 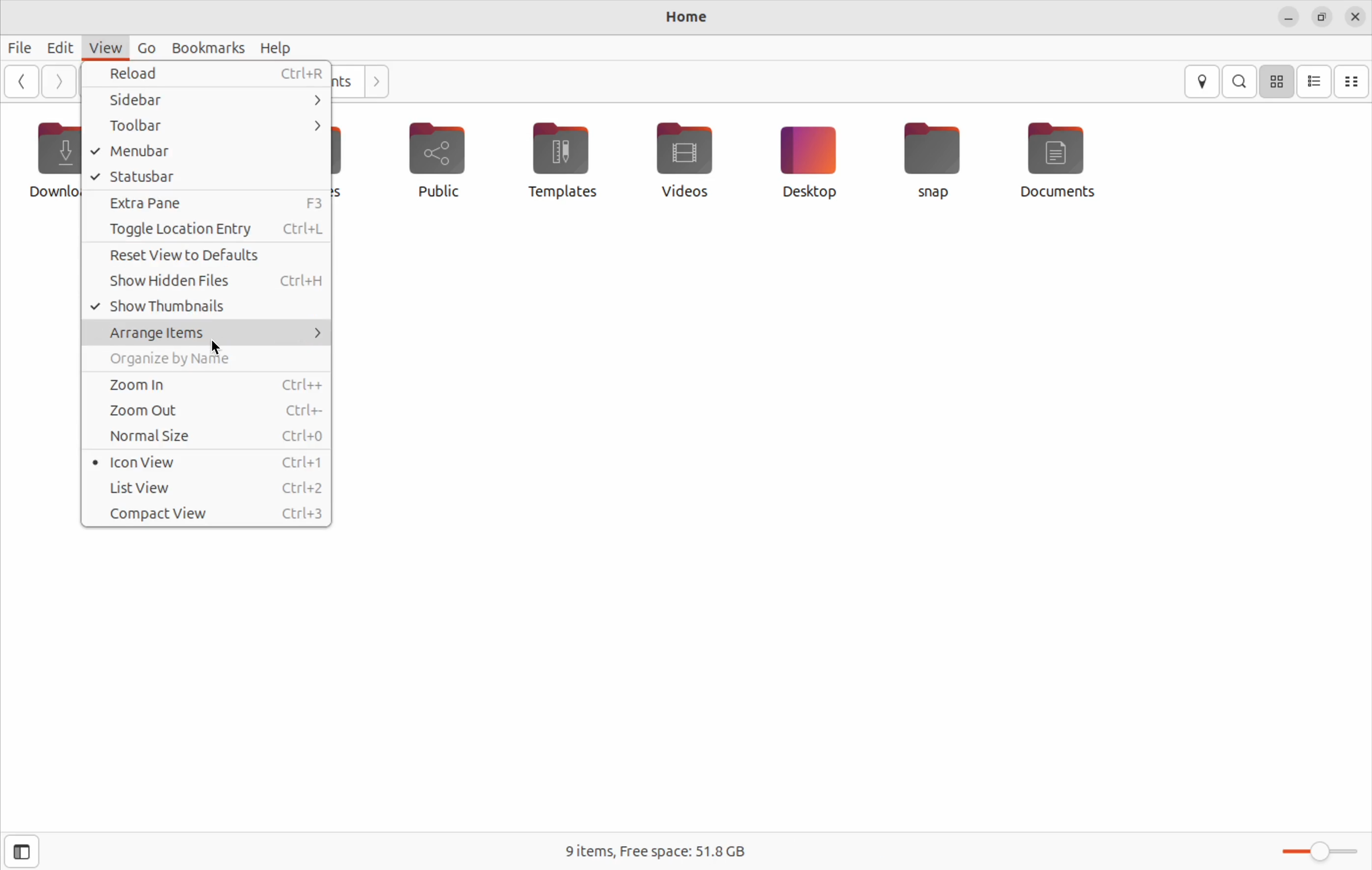 What do you see at coordinates (276, 47) in the screenshot?
I see `Help` at bounding box center [276, 47].